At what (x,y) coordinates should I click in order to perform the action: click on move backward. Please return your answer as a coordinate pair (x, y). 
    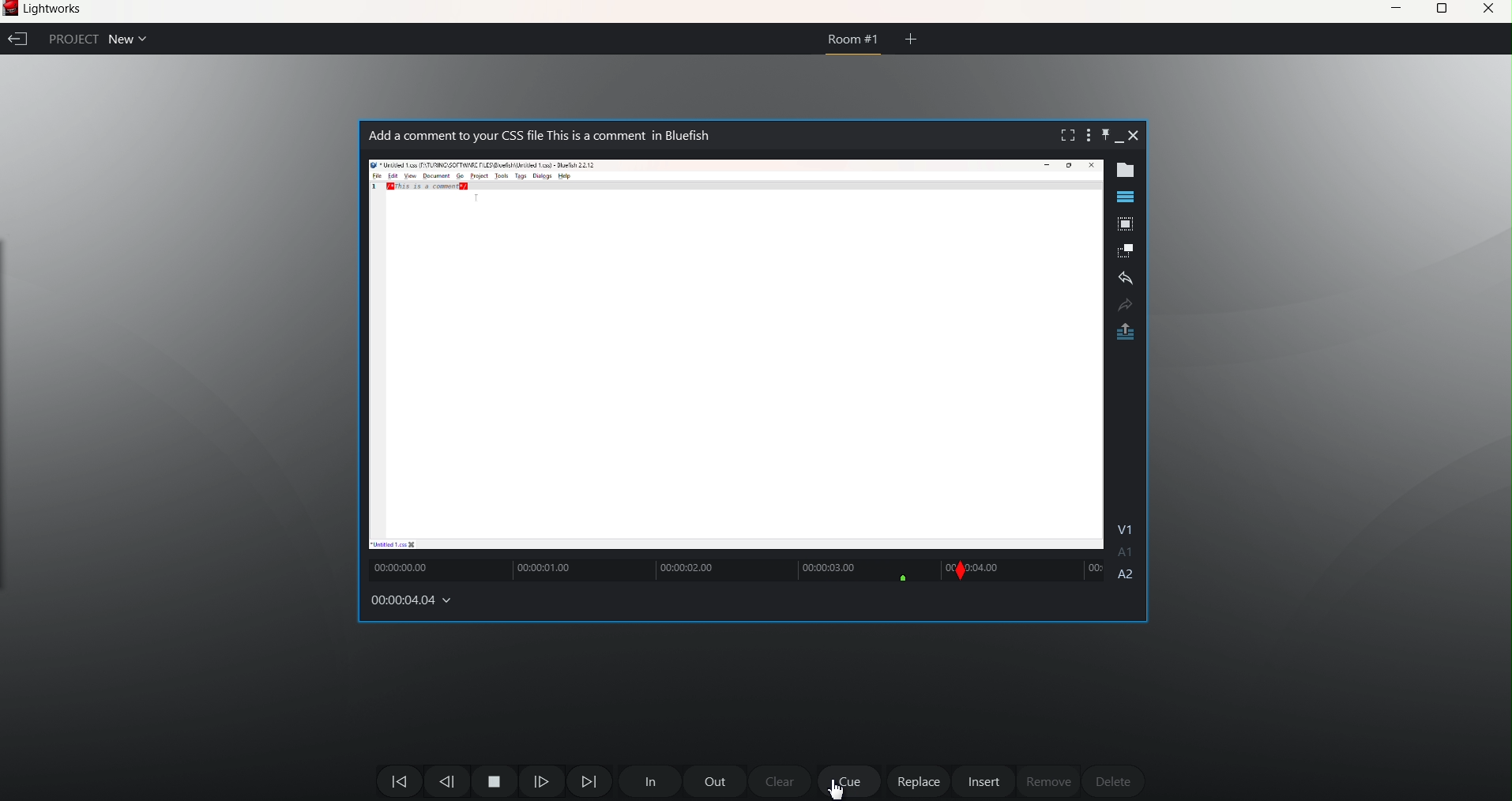
    Looking at the image, I should click on (399, 780).